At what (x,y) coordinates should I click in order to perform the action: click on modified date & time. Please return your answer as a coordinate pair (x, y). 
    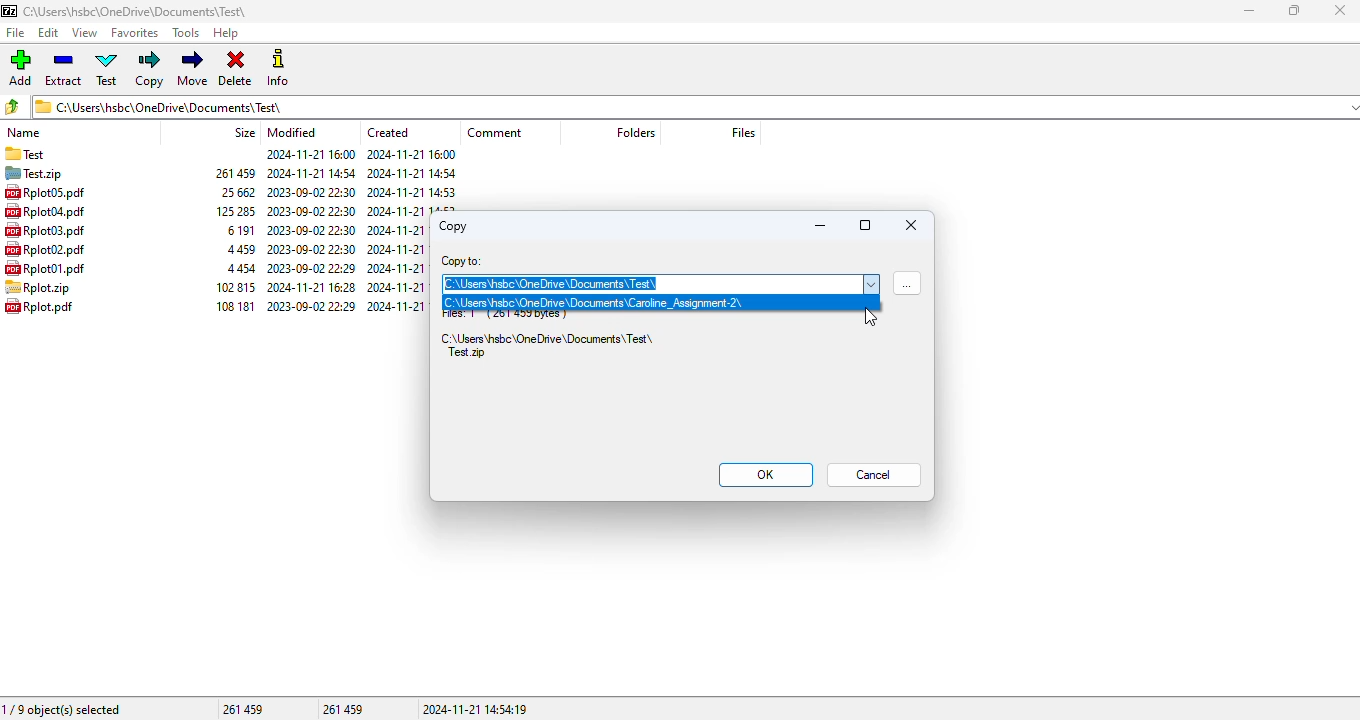
    Looking at the image, I should click on (311, 154).